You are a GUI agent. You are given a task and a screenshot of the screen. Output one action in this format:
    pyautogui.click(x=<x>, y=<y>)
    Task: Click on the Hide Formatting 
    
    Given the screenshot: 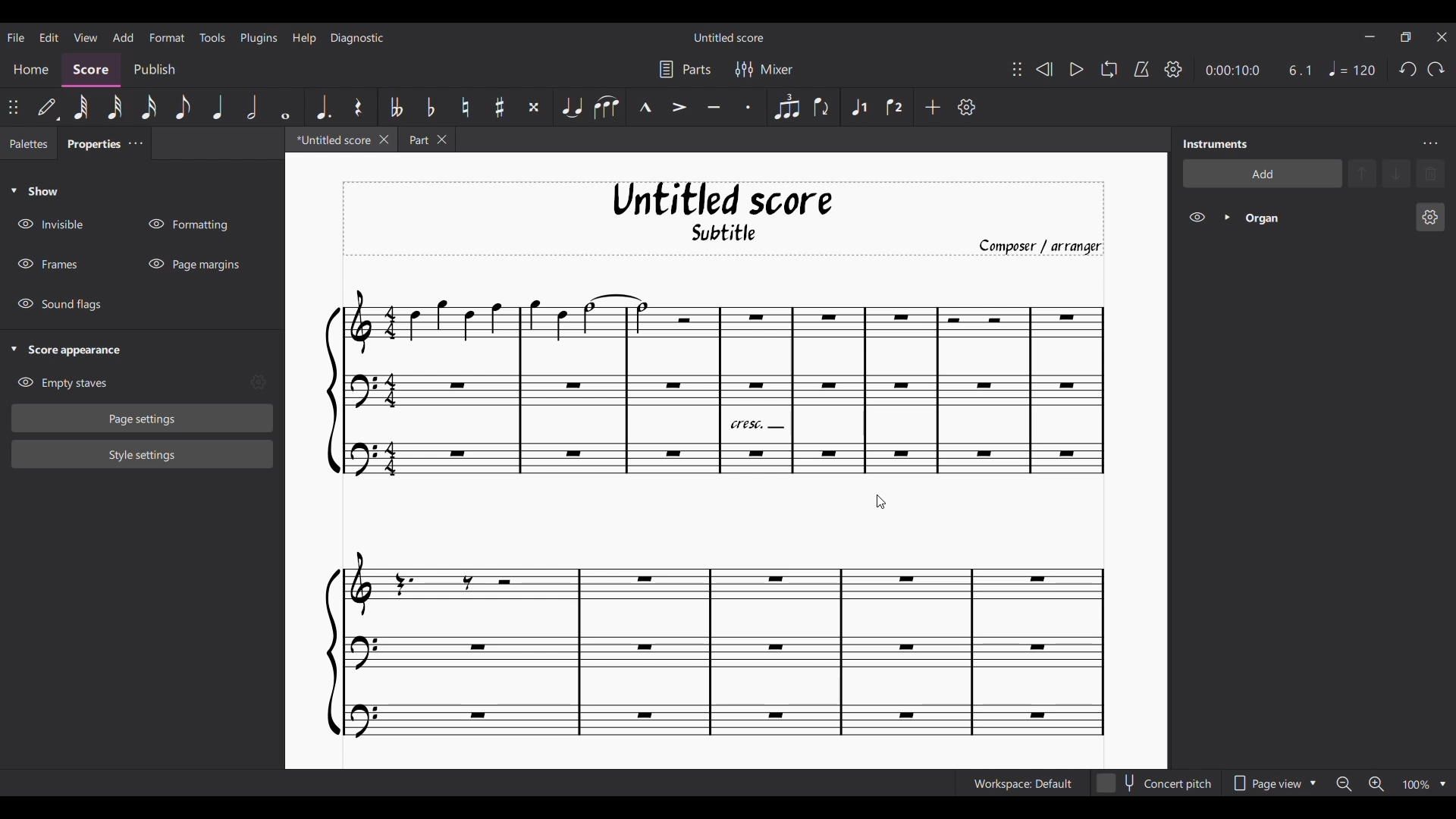 What is the action you would take?
    pyautogui.click(x=187, y=224)
    